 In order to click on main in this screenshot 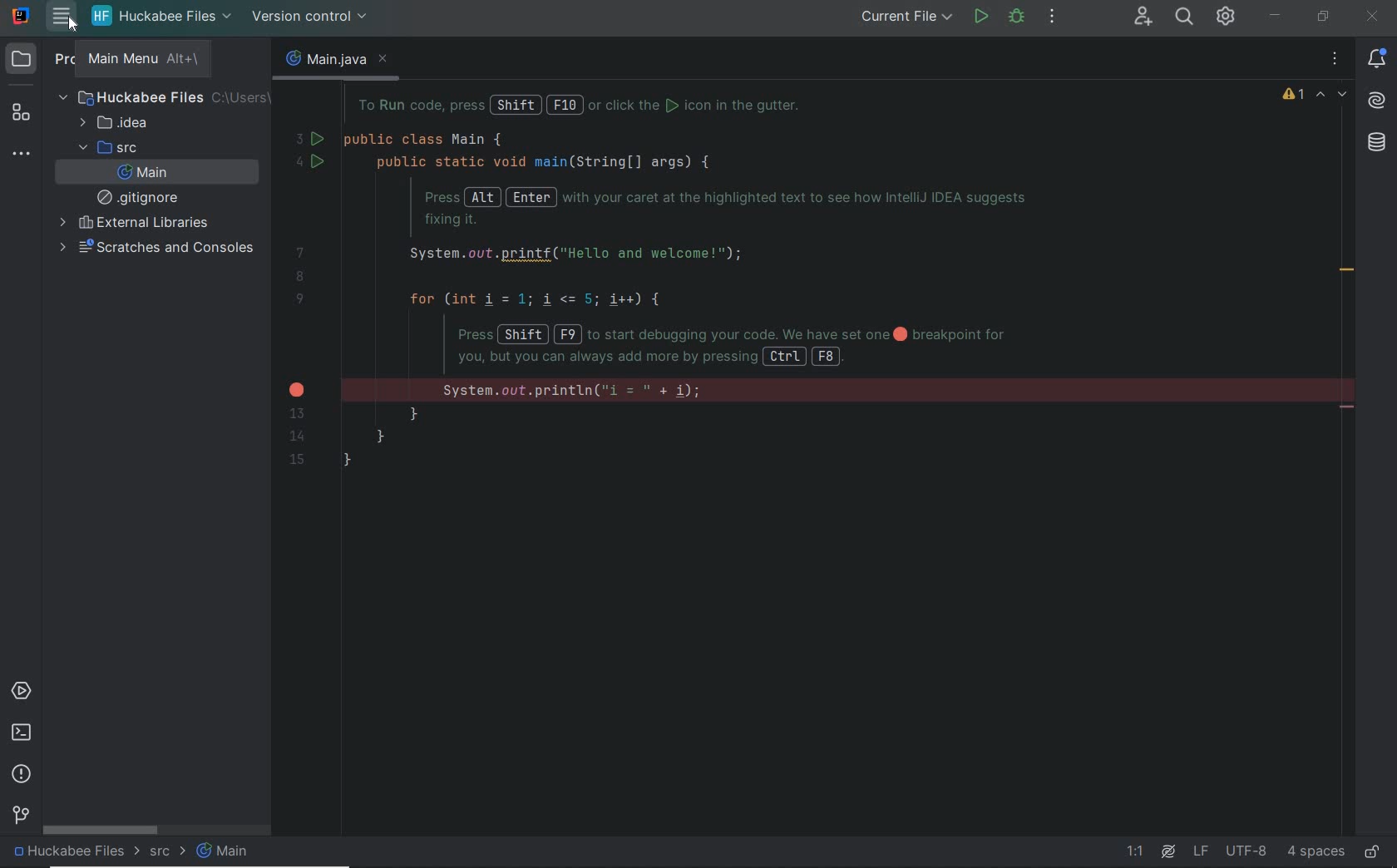, I will do `click(225, 849)`.